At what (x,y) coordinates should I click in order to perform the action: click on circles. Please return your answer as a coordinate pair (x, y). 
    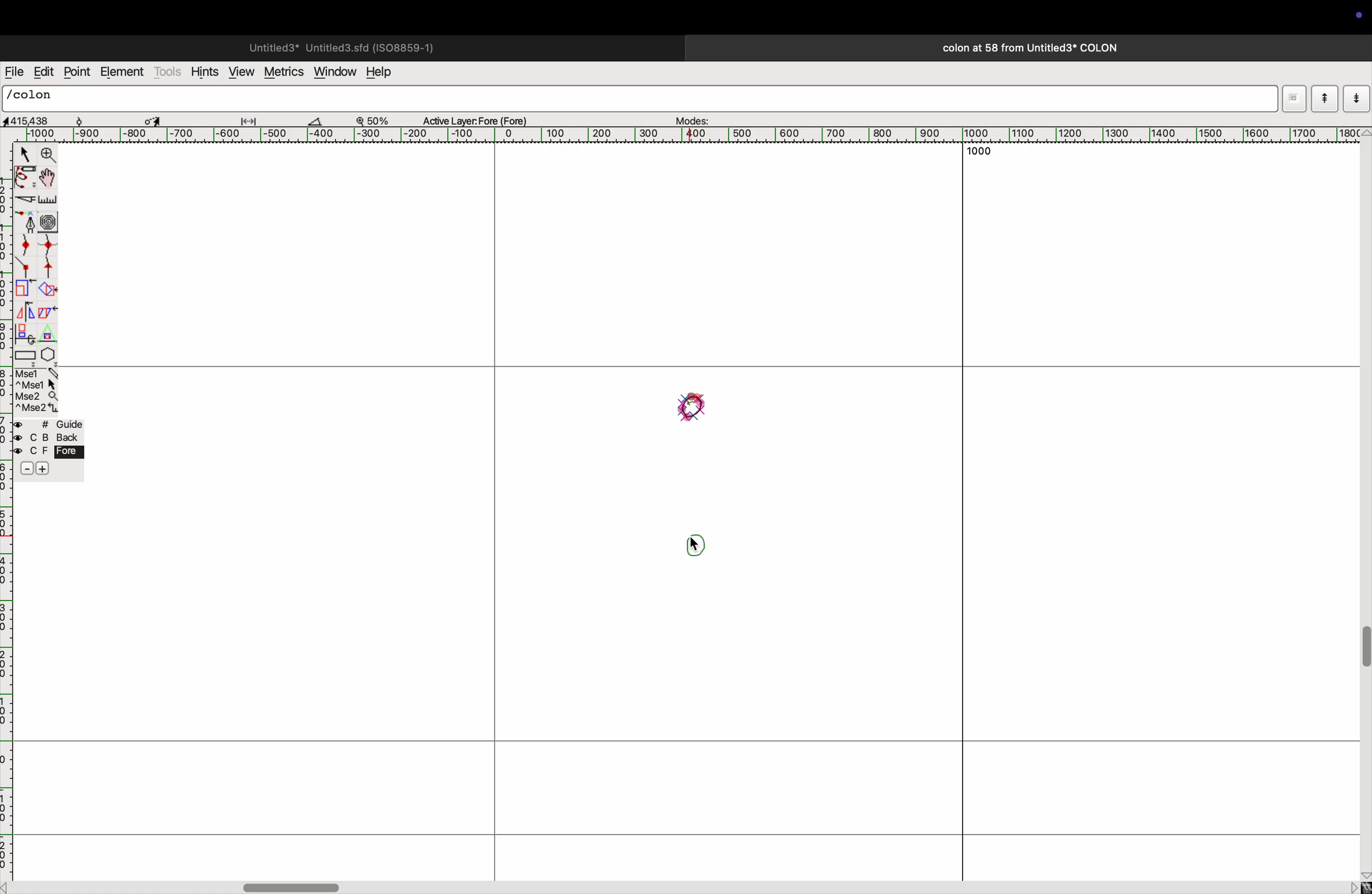
    Looking at the image, I should click on (51, 220).